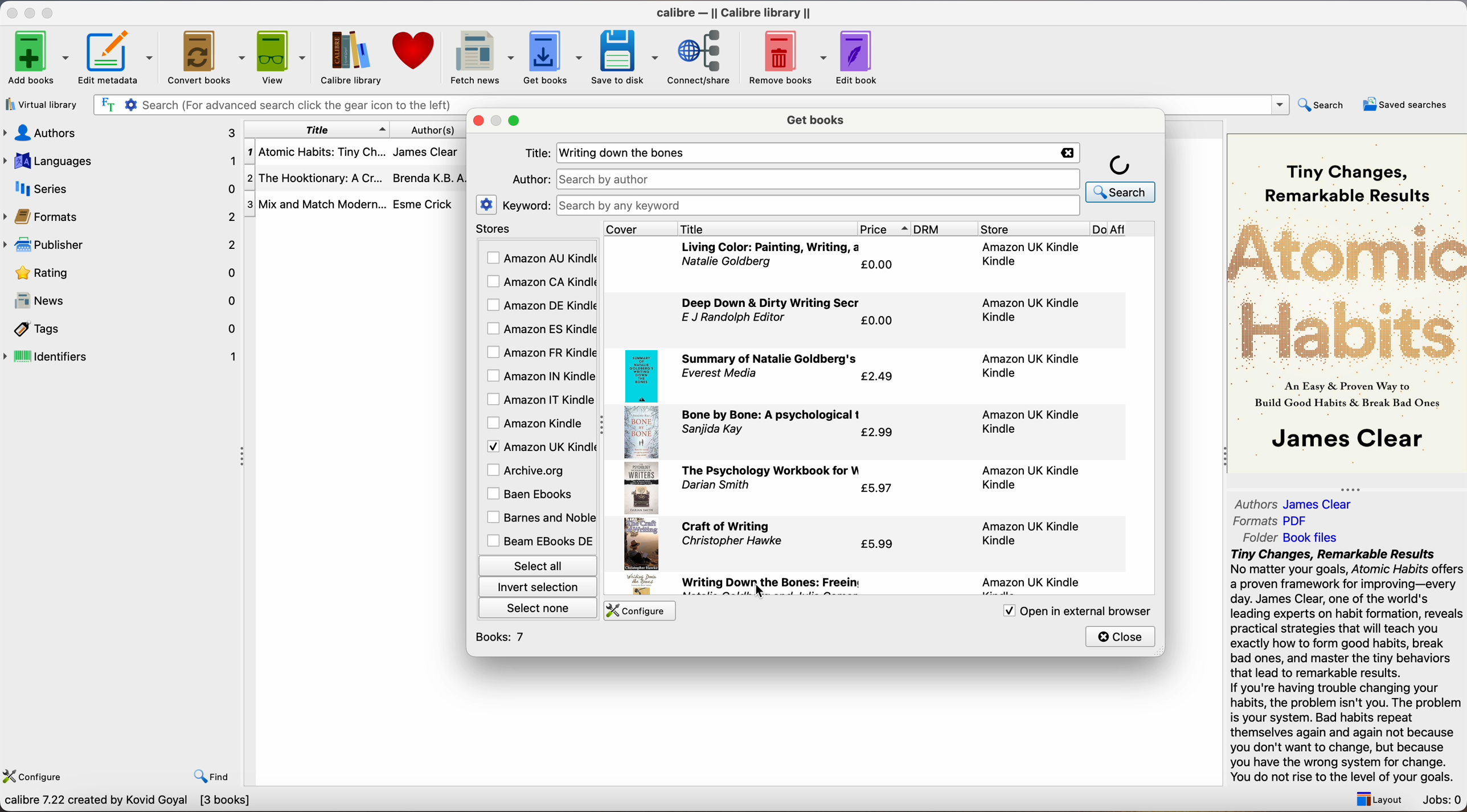  What do you see at coordinates (544, 56) in the screenshot?
I see `click on get books` at bounding box center [544, 56].